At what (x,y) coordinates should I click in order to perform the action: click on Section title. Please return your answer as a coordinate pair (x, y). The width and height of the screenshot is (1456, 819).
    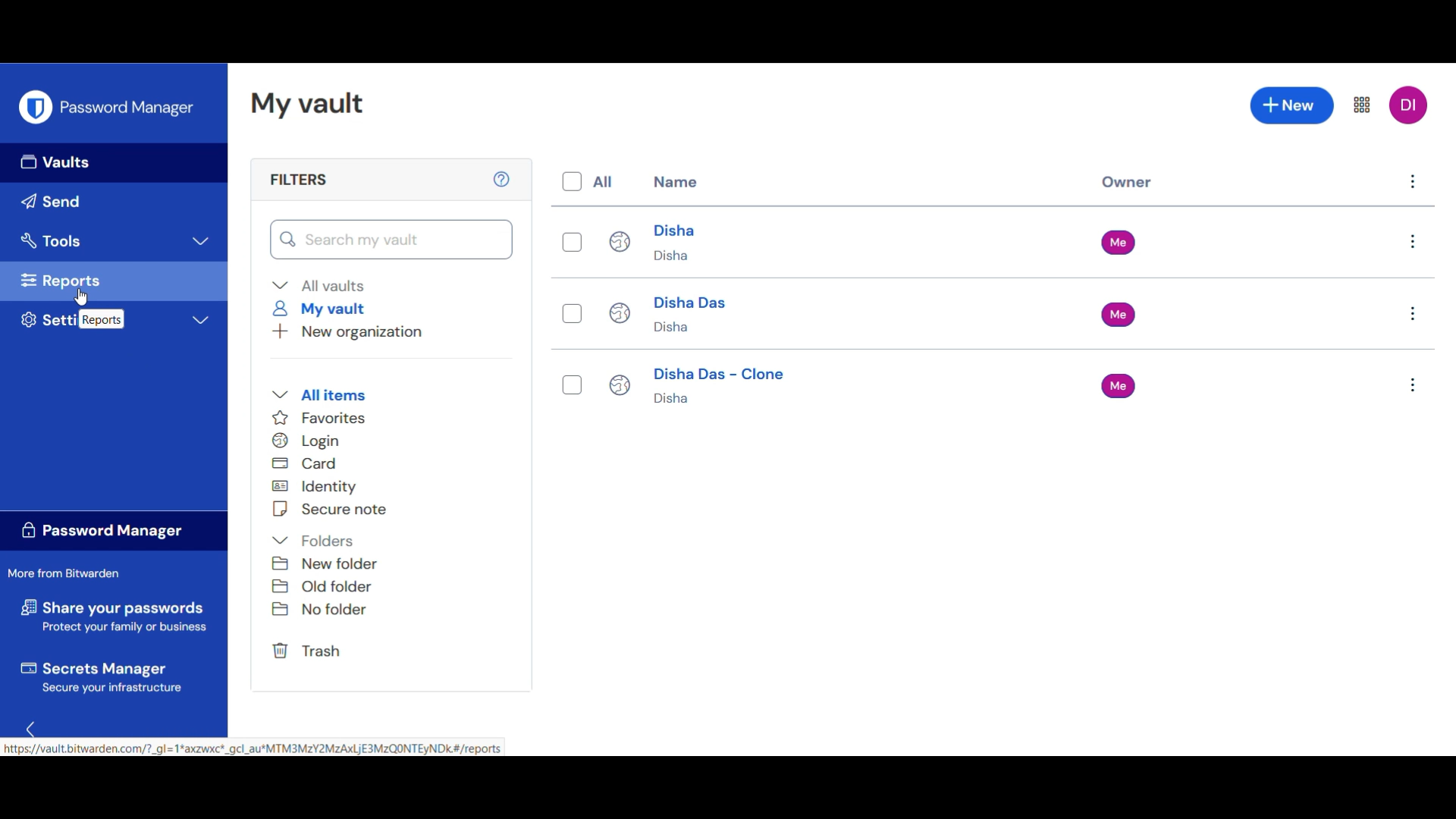
    Looking at the image, I should click on (299, 180).